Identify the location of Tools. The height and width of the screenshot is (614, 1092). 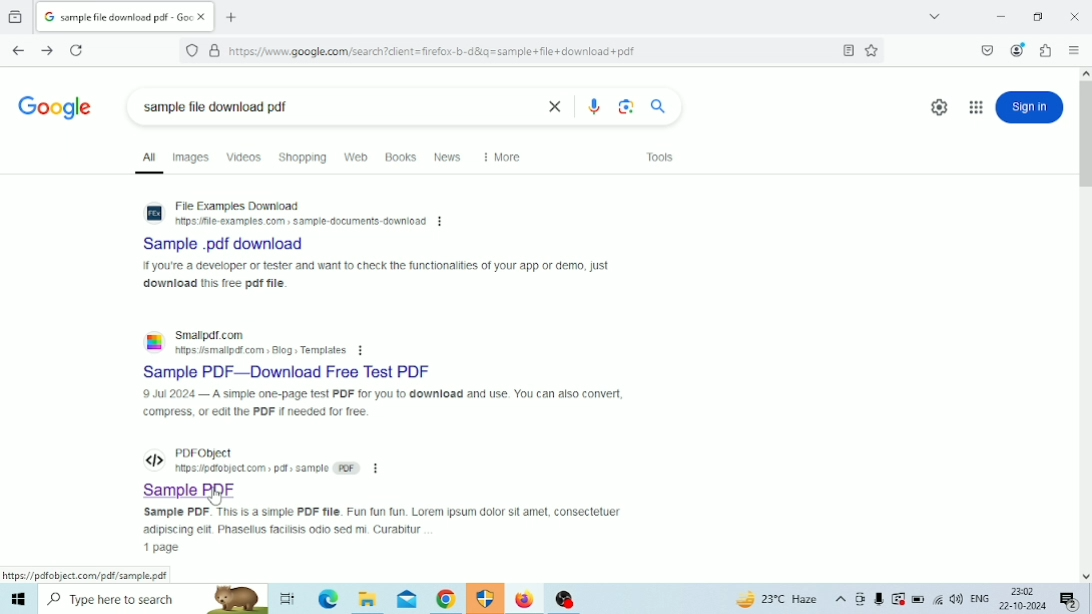
(659, 157).